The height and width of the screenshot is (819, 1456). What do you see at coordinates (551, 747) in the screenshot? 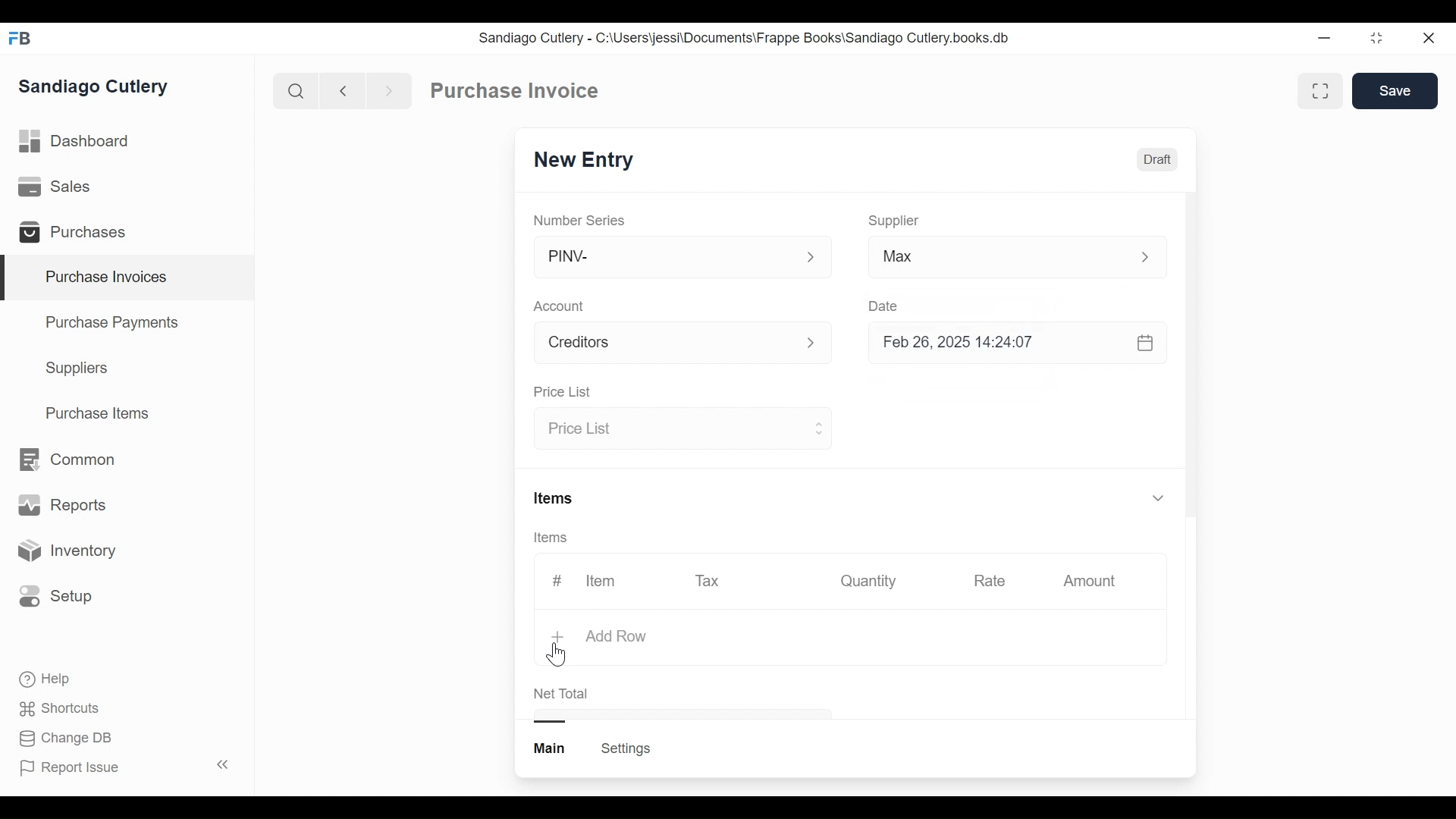
I see `Main` at bounding box center [551, 747].